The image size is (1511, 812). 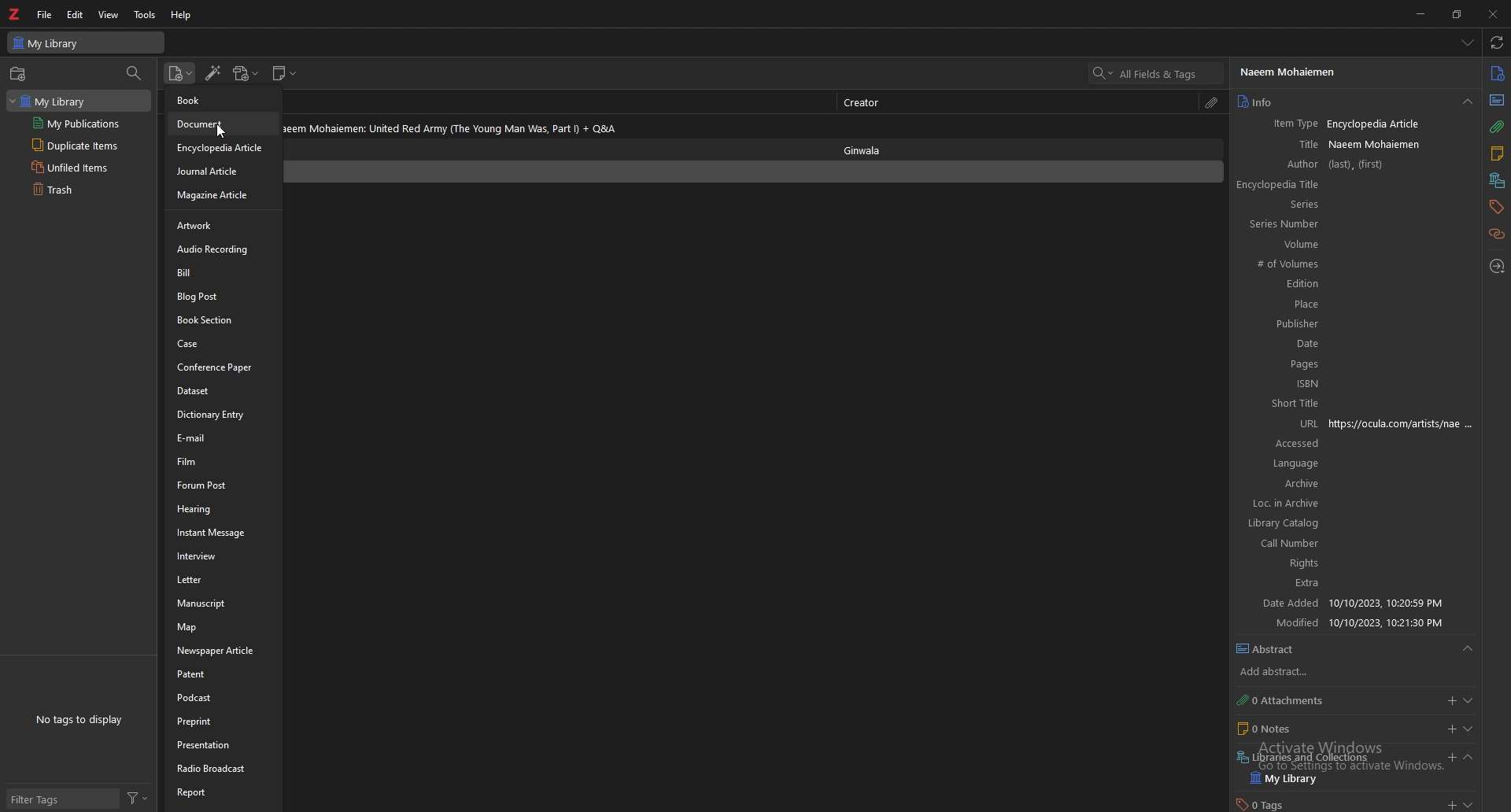 What do you see at coordinates (1402, 143) in the screenshot?
I see `title input` at bounding box center [1402, 143].